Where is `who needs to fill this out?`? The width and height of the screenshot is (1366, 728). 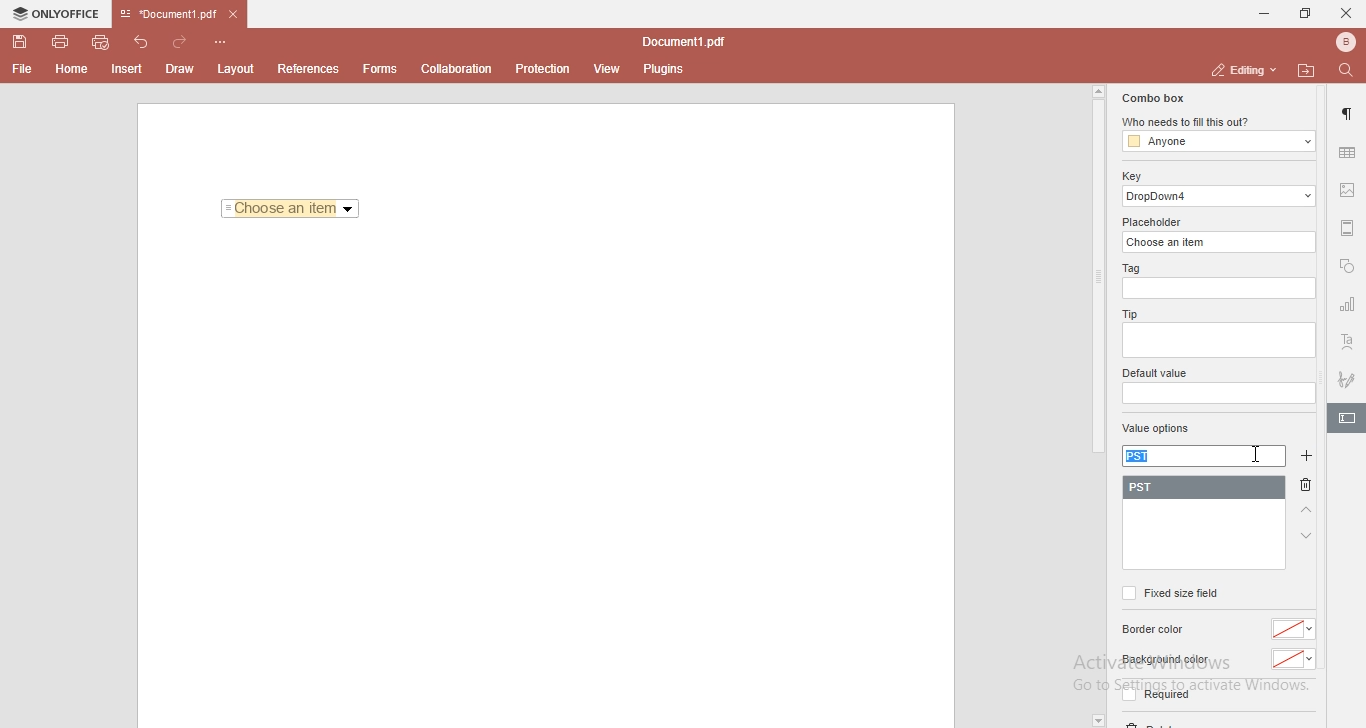 who needs to fill this out? is located at coordinates (1216, 123).